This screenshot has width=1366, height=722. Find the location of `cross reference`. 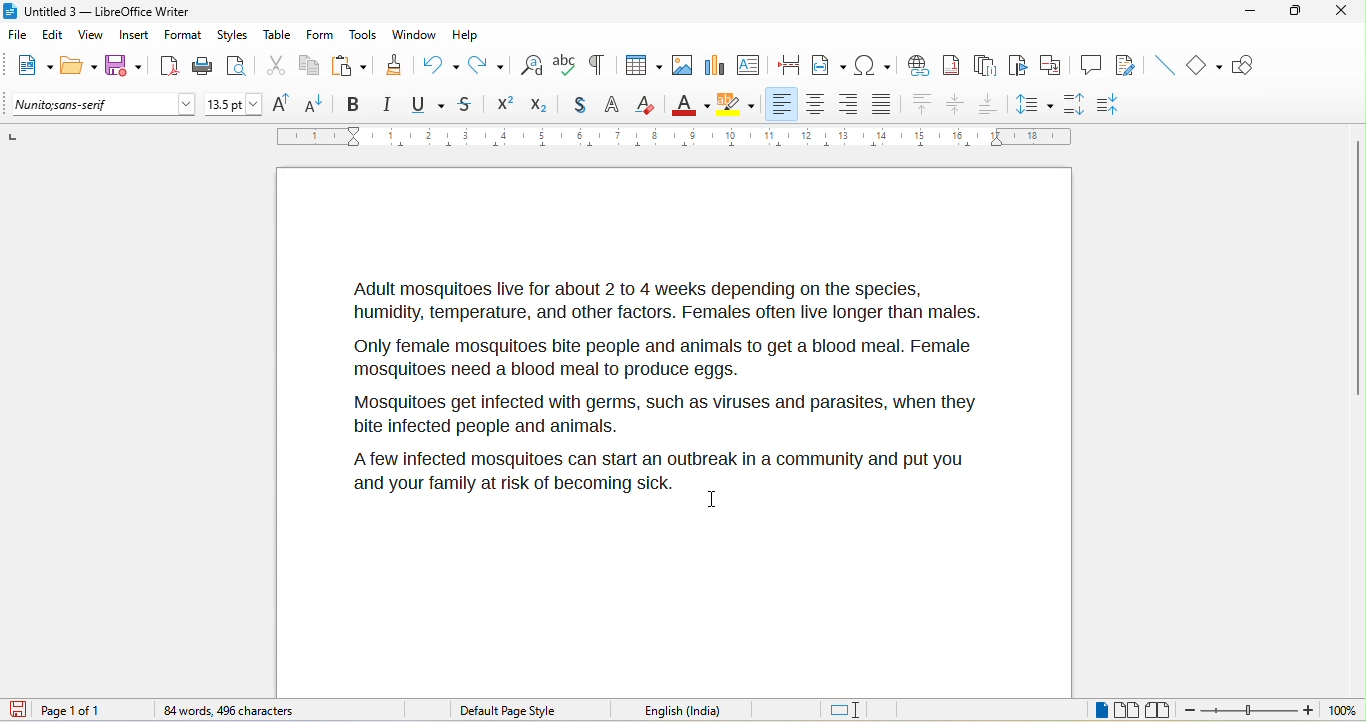

cross reference is located at coordinates (1055, 65).